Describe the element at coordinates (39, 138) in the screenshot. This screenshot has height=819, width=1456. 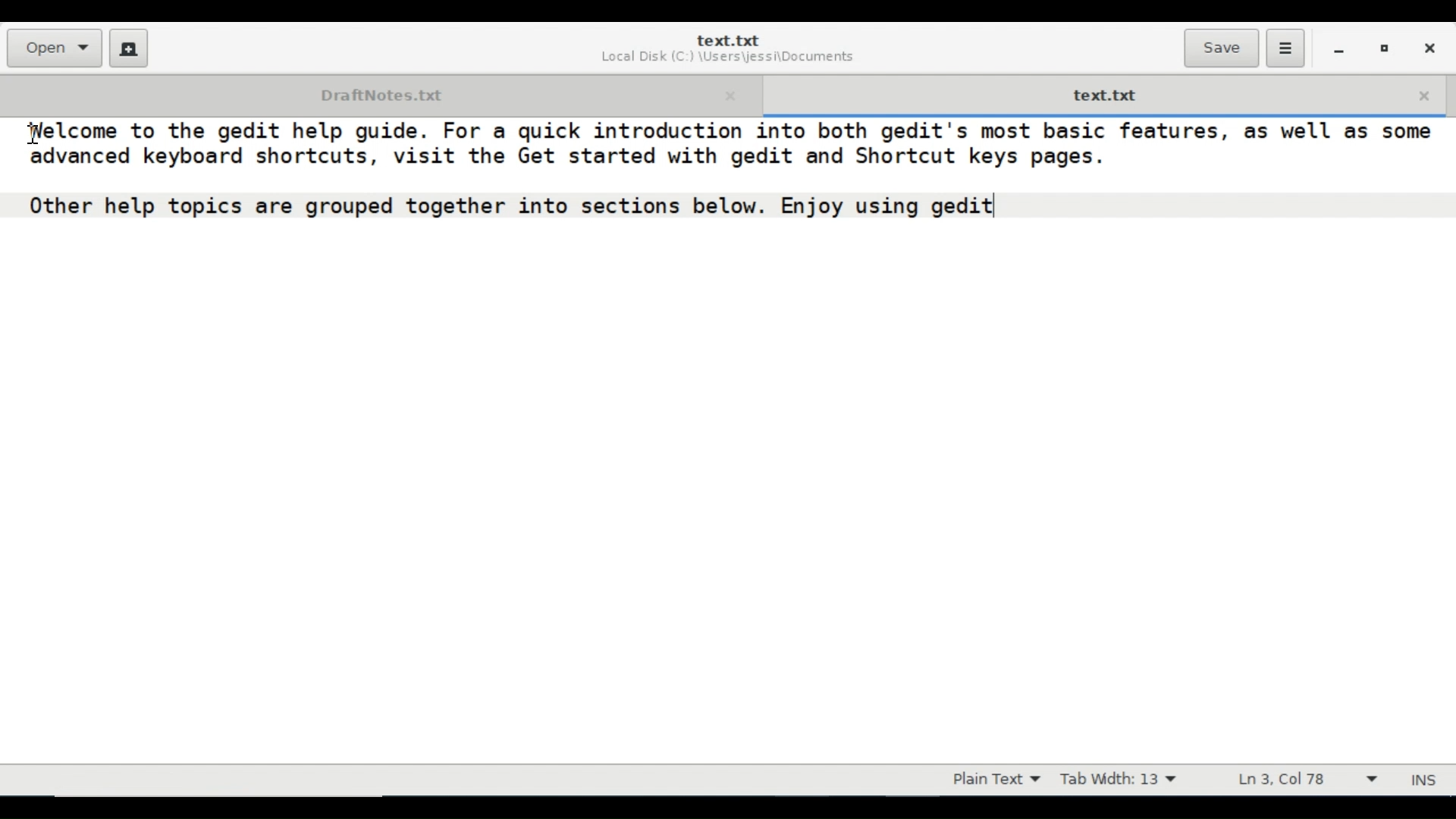
I see `cursor` at that location.